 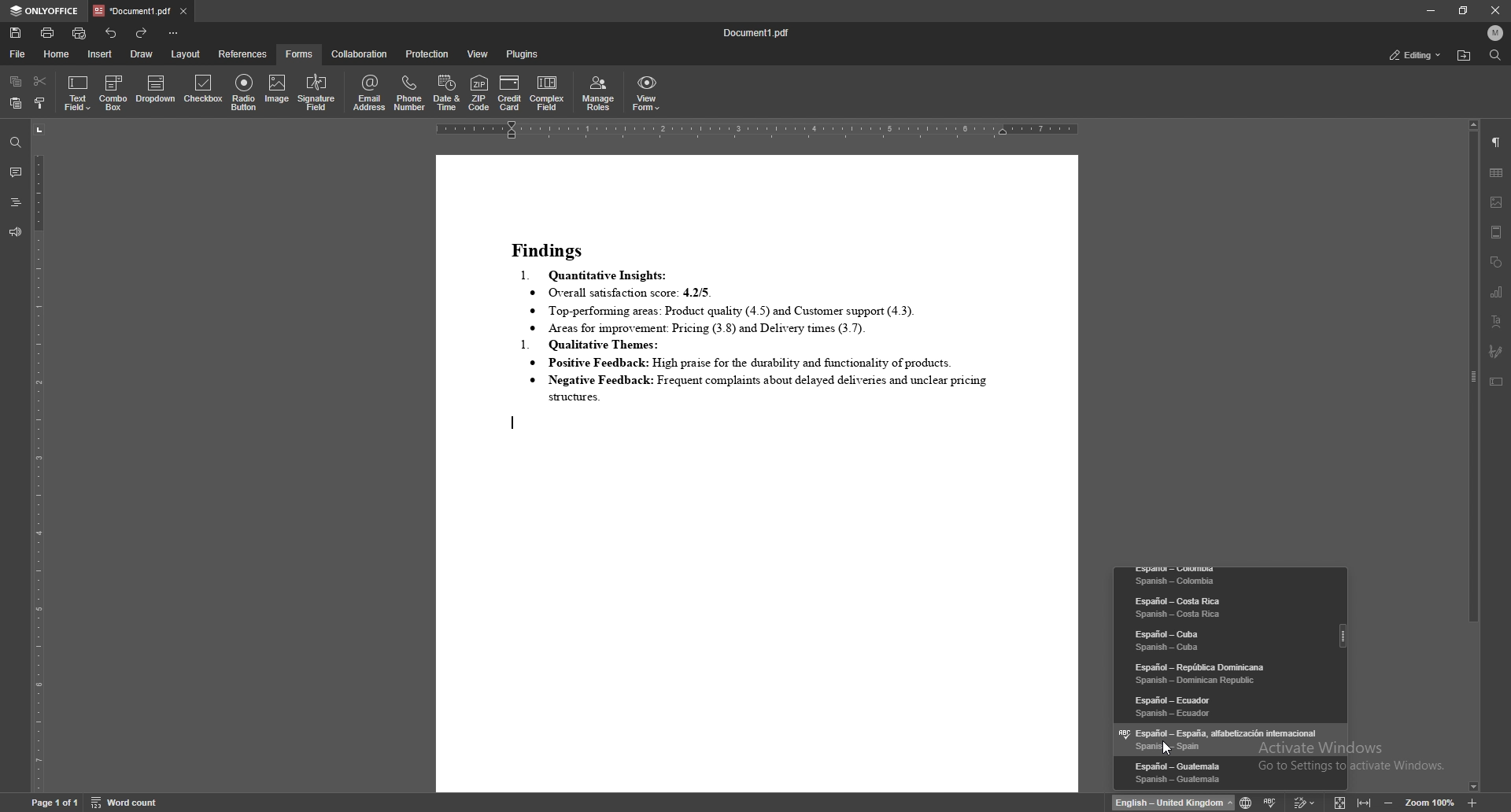 What do you see at coordinates (370, 93) in the screenshot?
I see `email address` at bounding box center [370, 93].